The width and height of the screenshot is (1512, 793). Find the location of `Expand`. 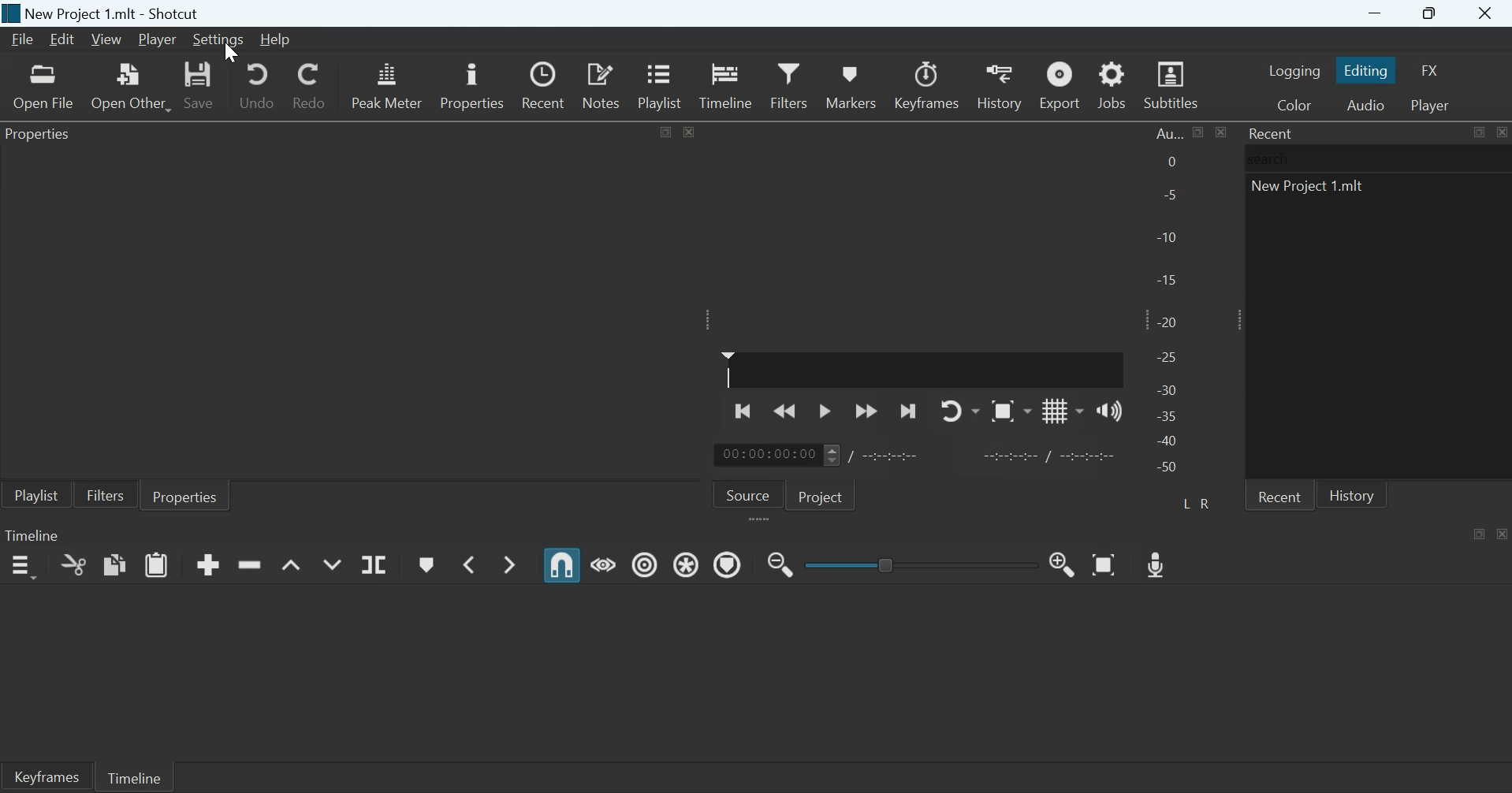

Expand is located at coordinates (709, 319).